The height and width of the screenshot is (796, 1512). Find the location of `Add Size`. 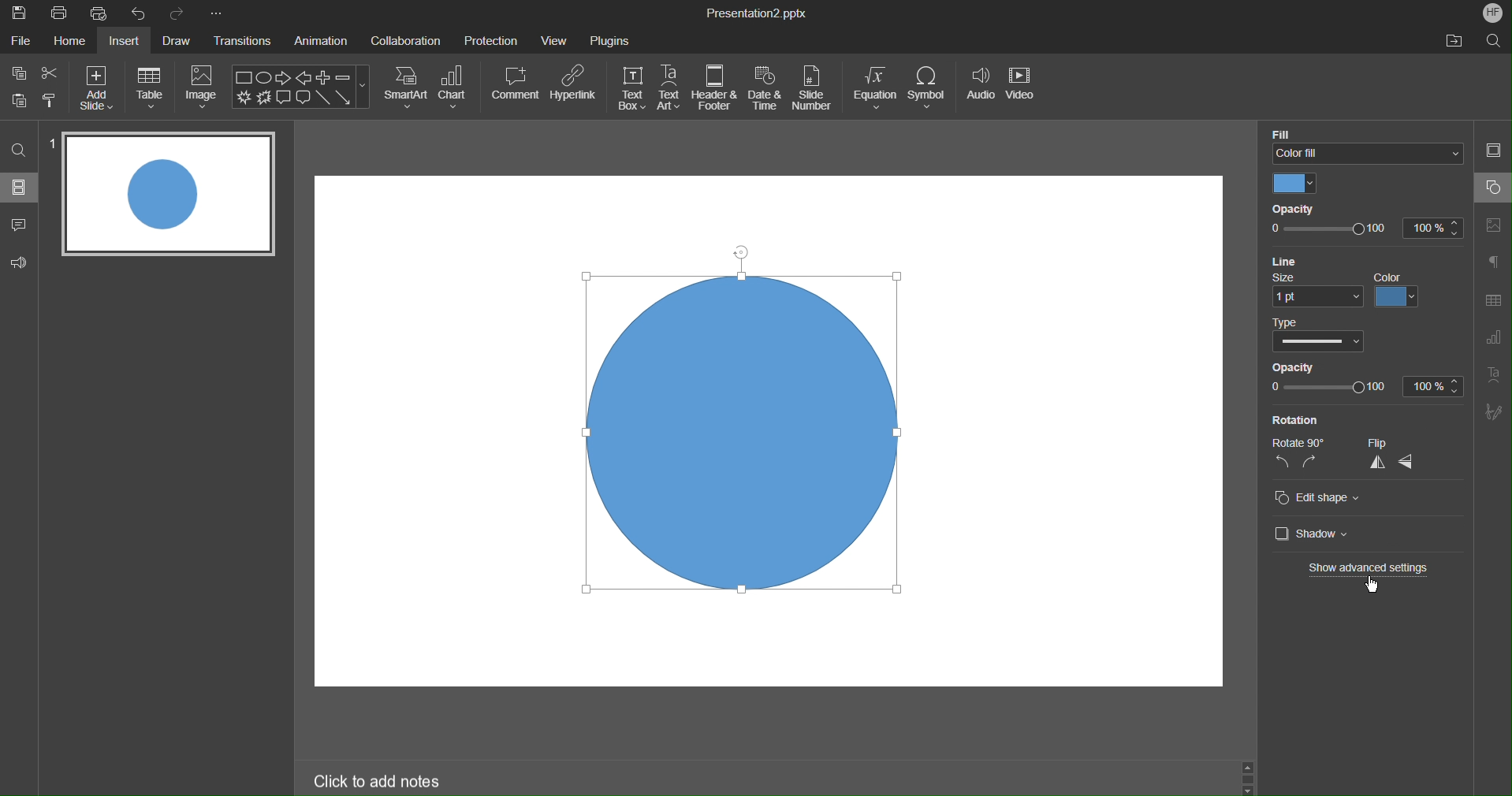

Add Size is located at coordinates (96, 87).